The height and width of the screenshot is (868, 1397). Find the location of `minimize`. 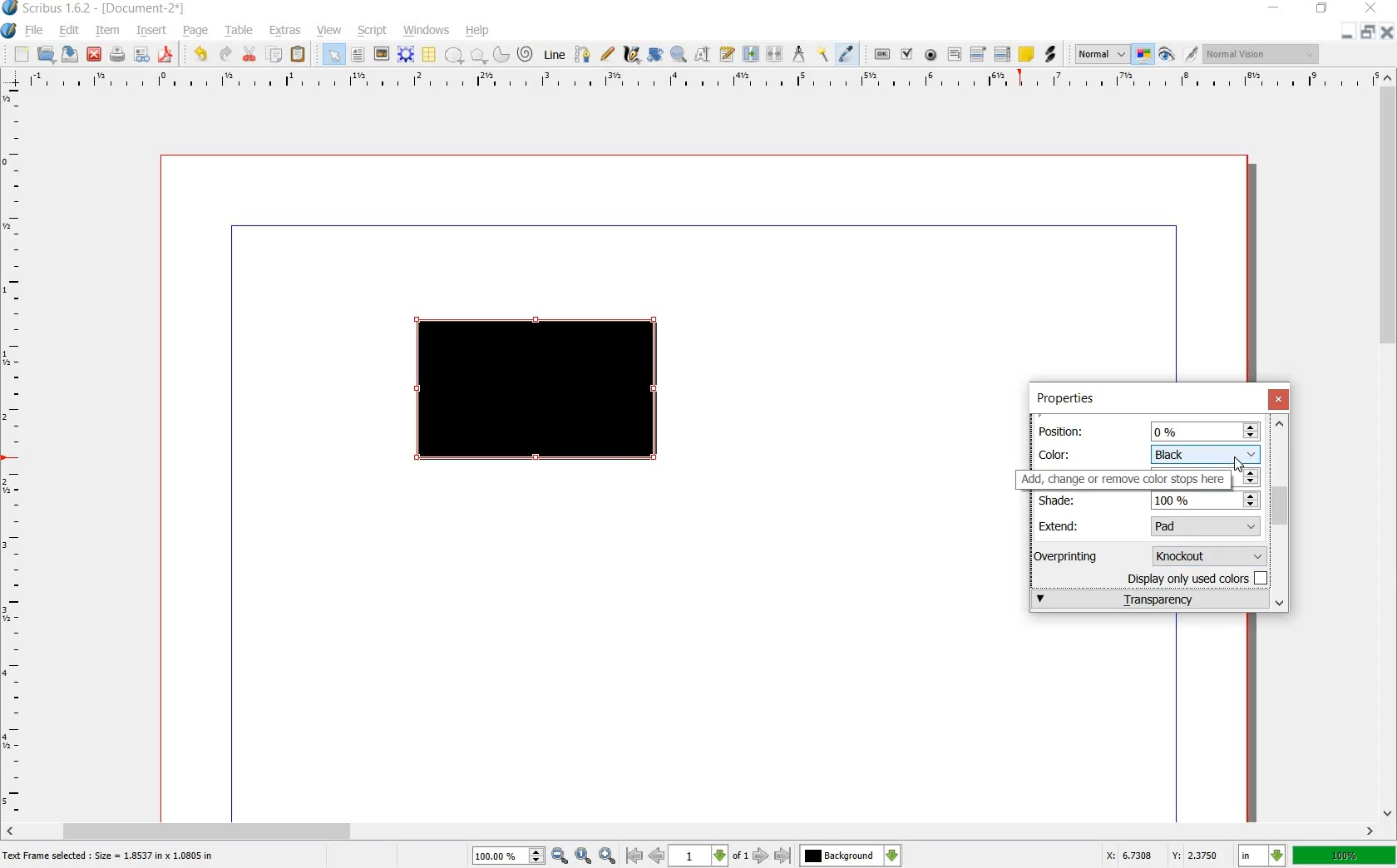

minimize is located at coordinates (1275, 8).